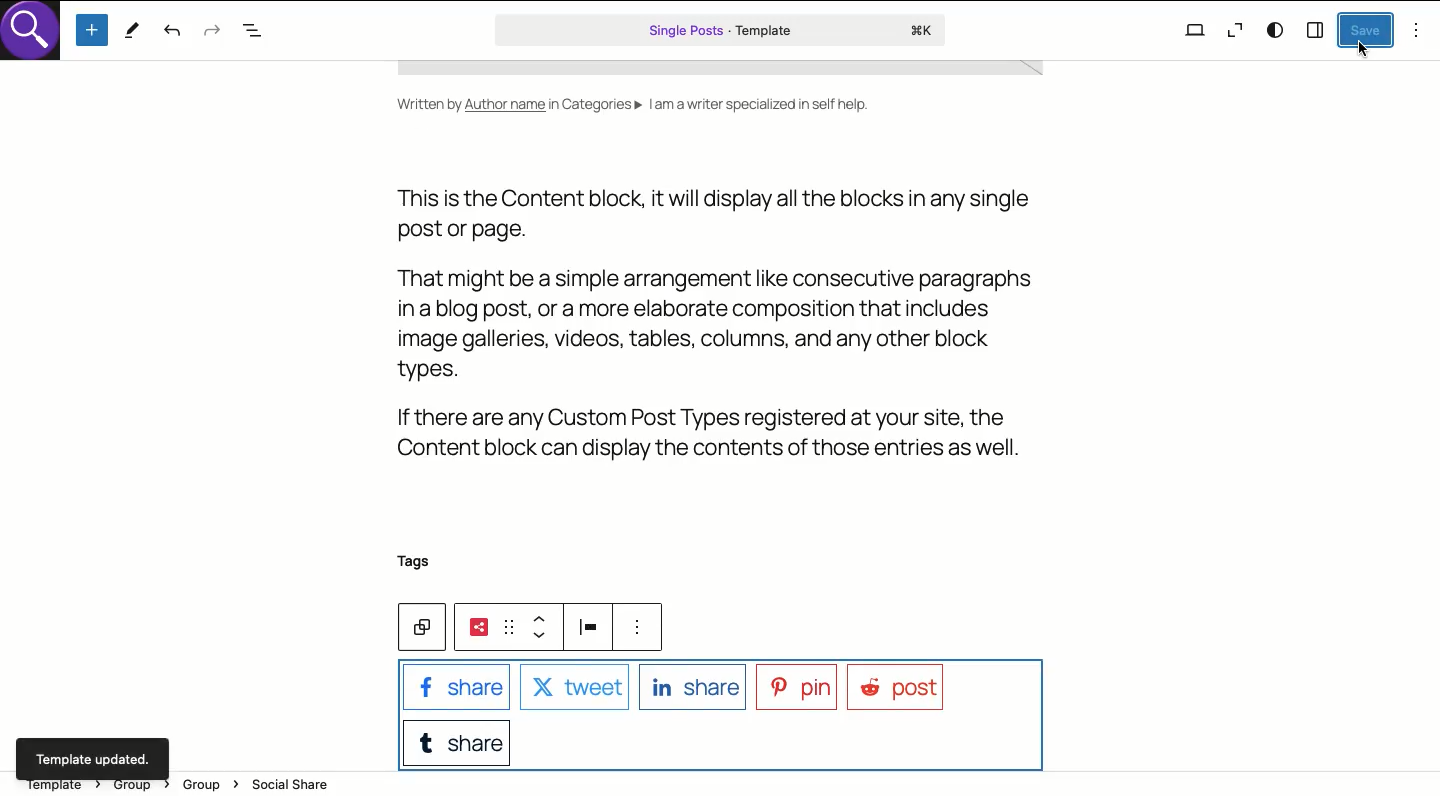 The height and width of the screenshot is (796, 1440). I want to click on logo, so click(36, 36).